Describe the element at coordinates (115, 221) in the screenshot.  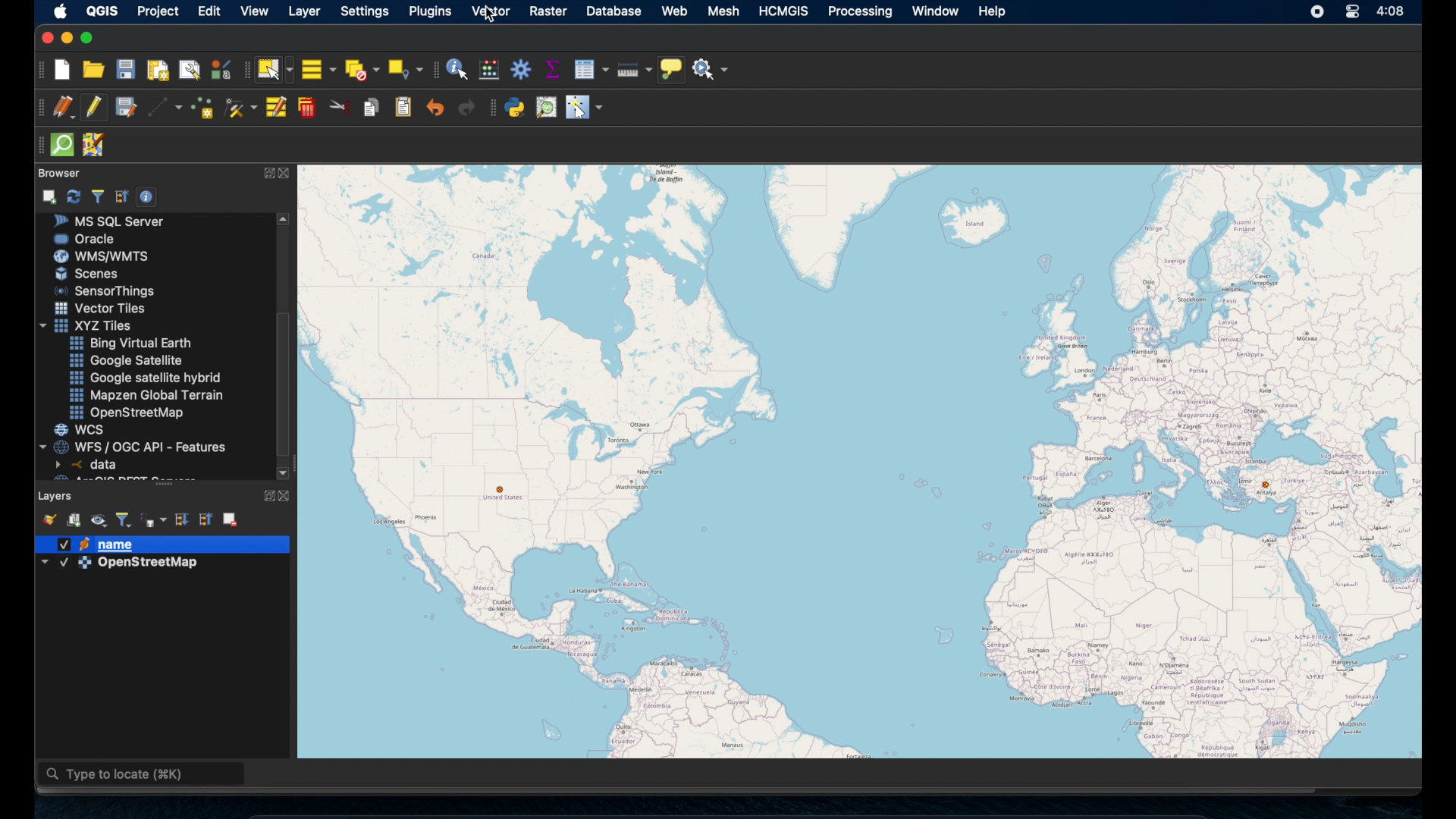
I see `ms sql server` at that location.